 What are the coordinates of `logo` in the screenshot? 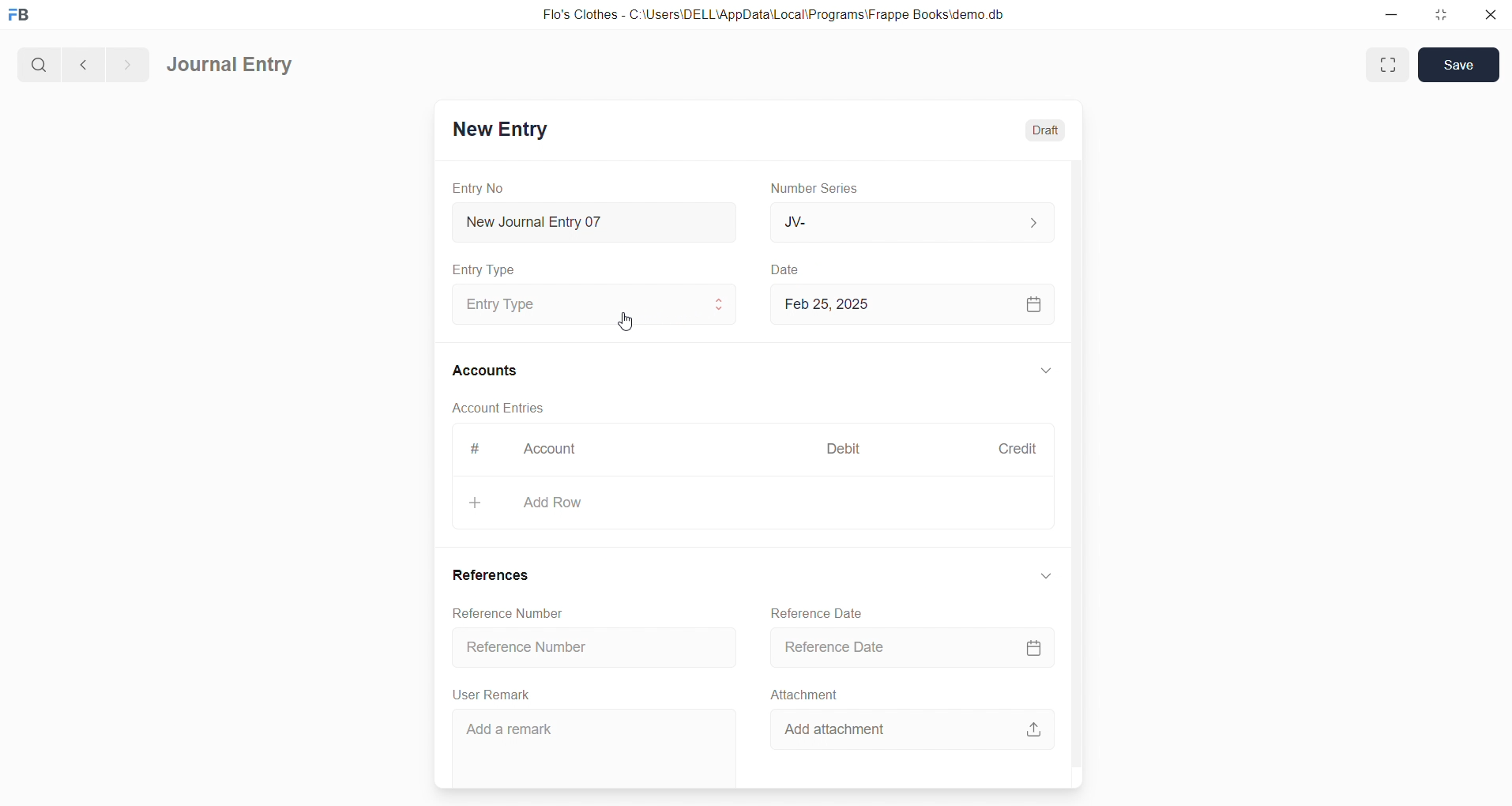 It's located at (23, 16).